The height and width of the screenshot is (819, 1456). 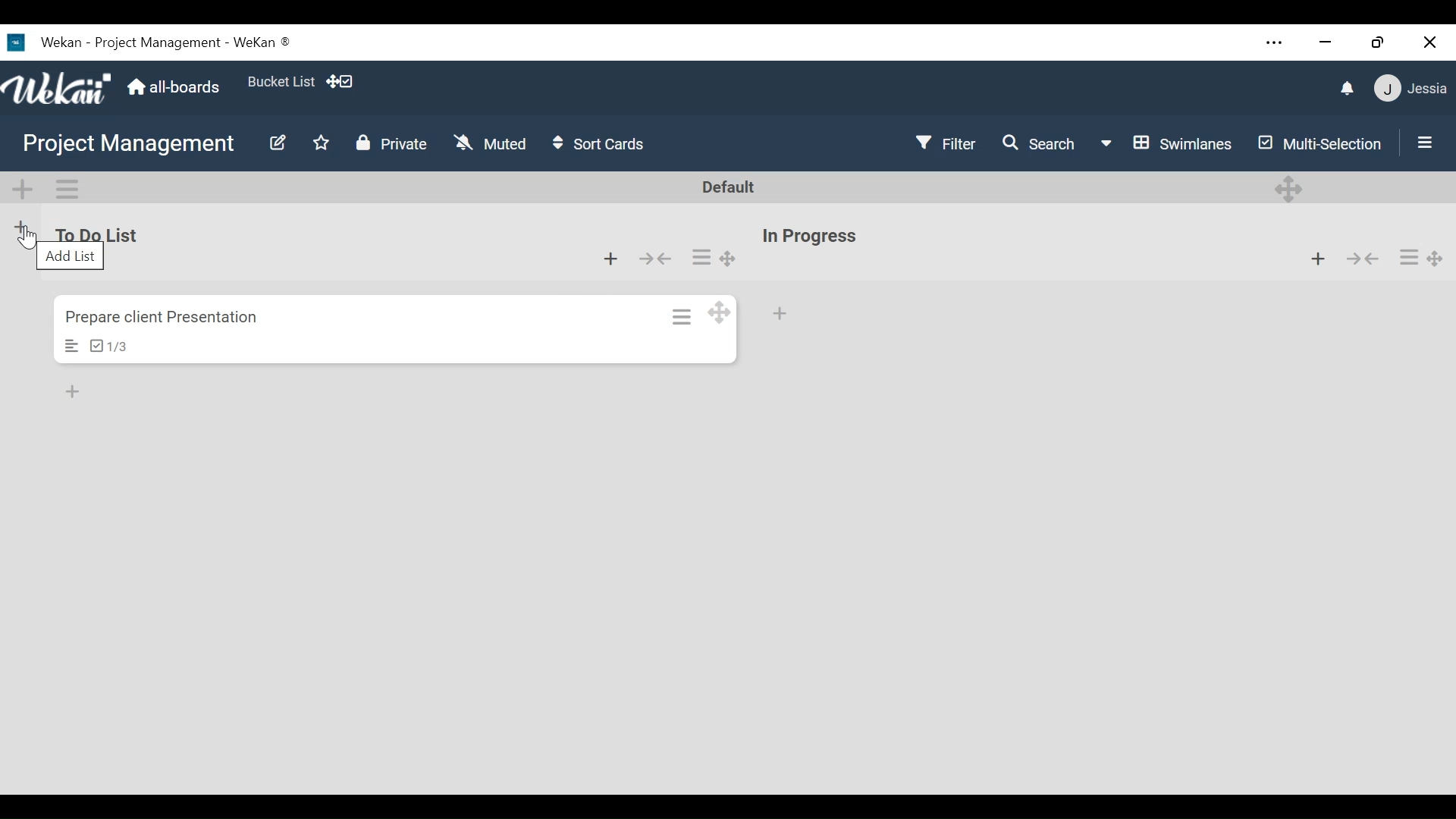 I want to click on Default, so click(x=725, y=186).